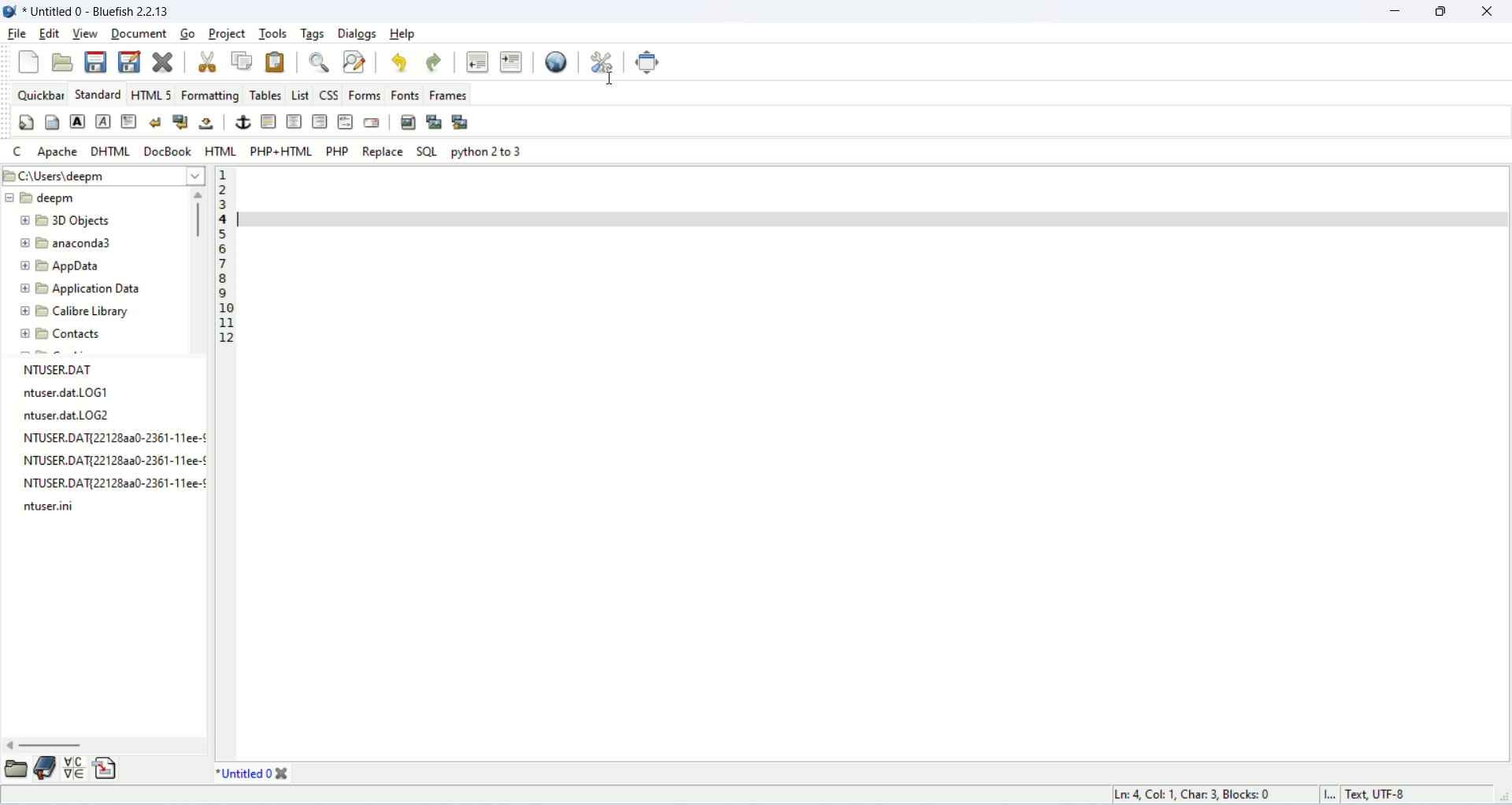 This screenshot has height=805, width=1512. What do you see at coordinates (43, 767) in the screenshot?
I see `documentation` at bounding box center [43, 767].